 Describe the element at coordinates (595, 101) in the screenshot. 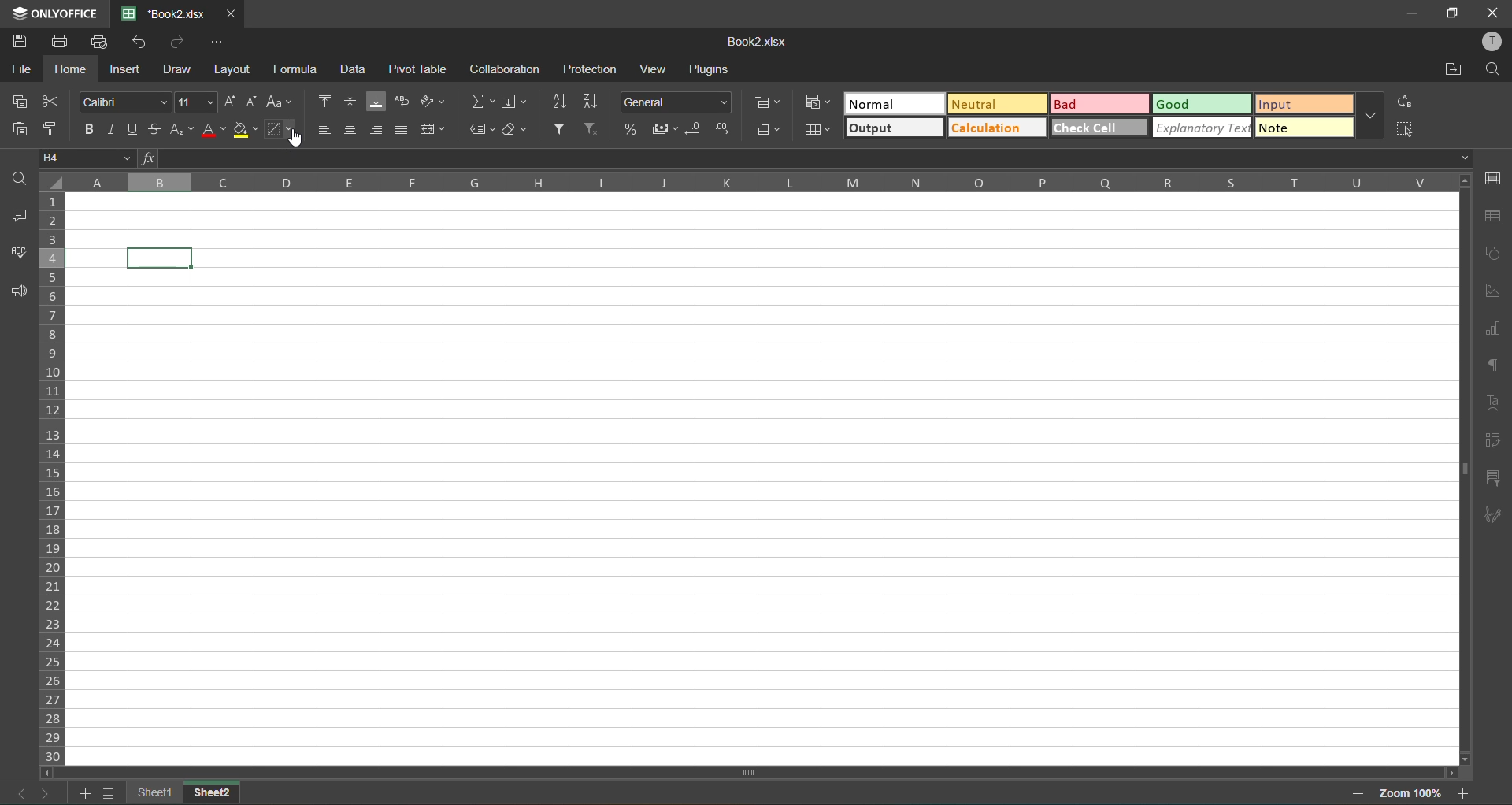

I see `sort descending` at that location.